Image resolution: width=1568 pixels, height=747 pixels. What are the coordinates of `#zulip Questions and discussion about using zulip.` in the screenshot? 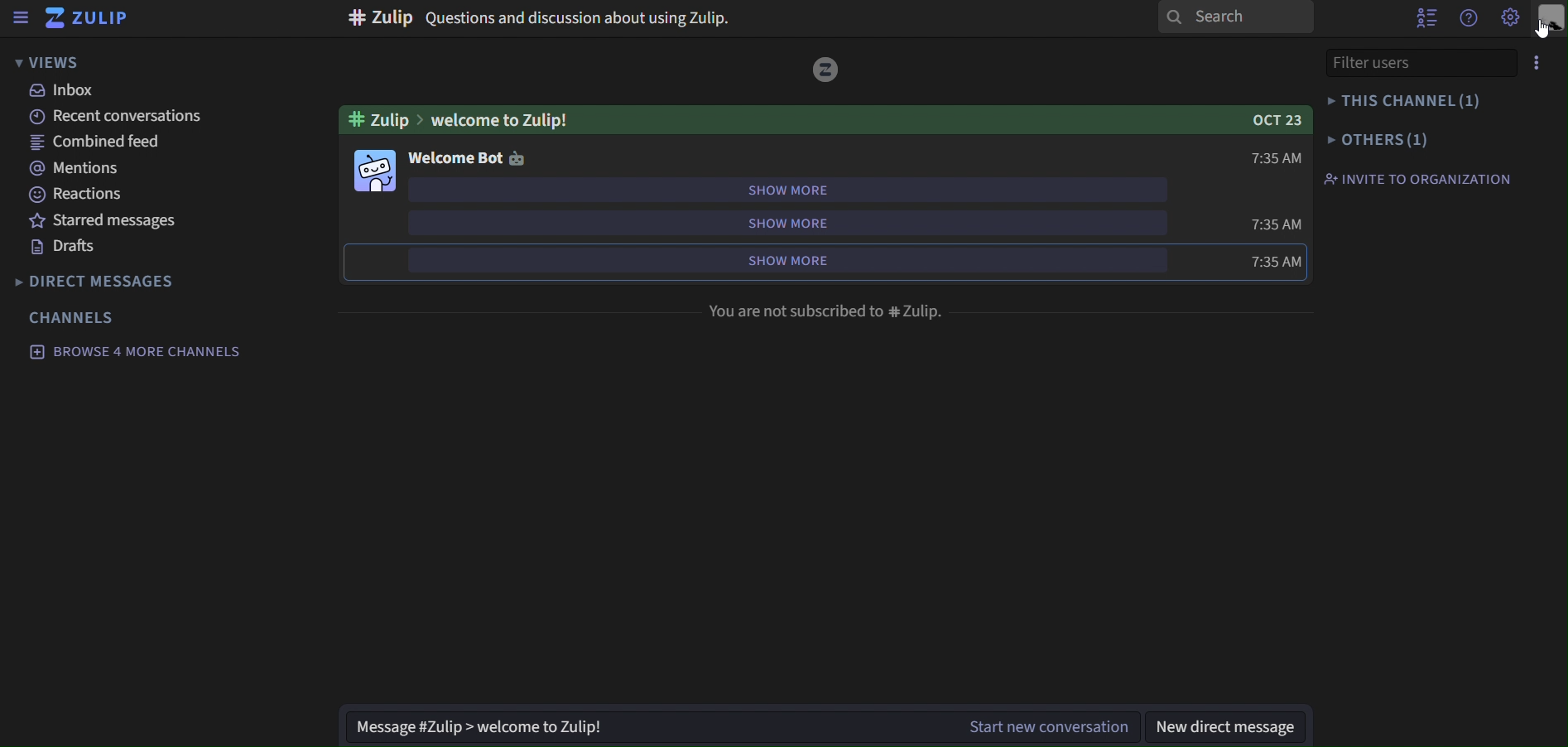 It's located at (536, 20).